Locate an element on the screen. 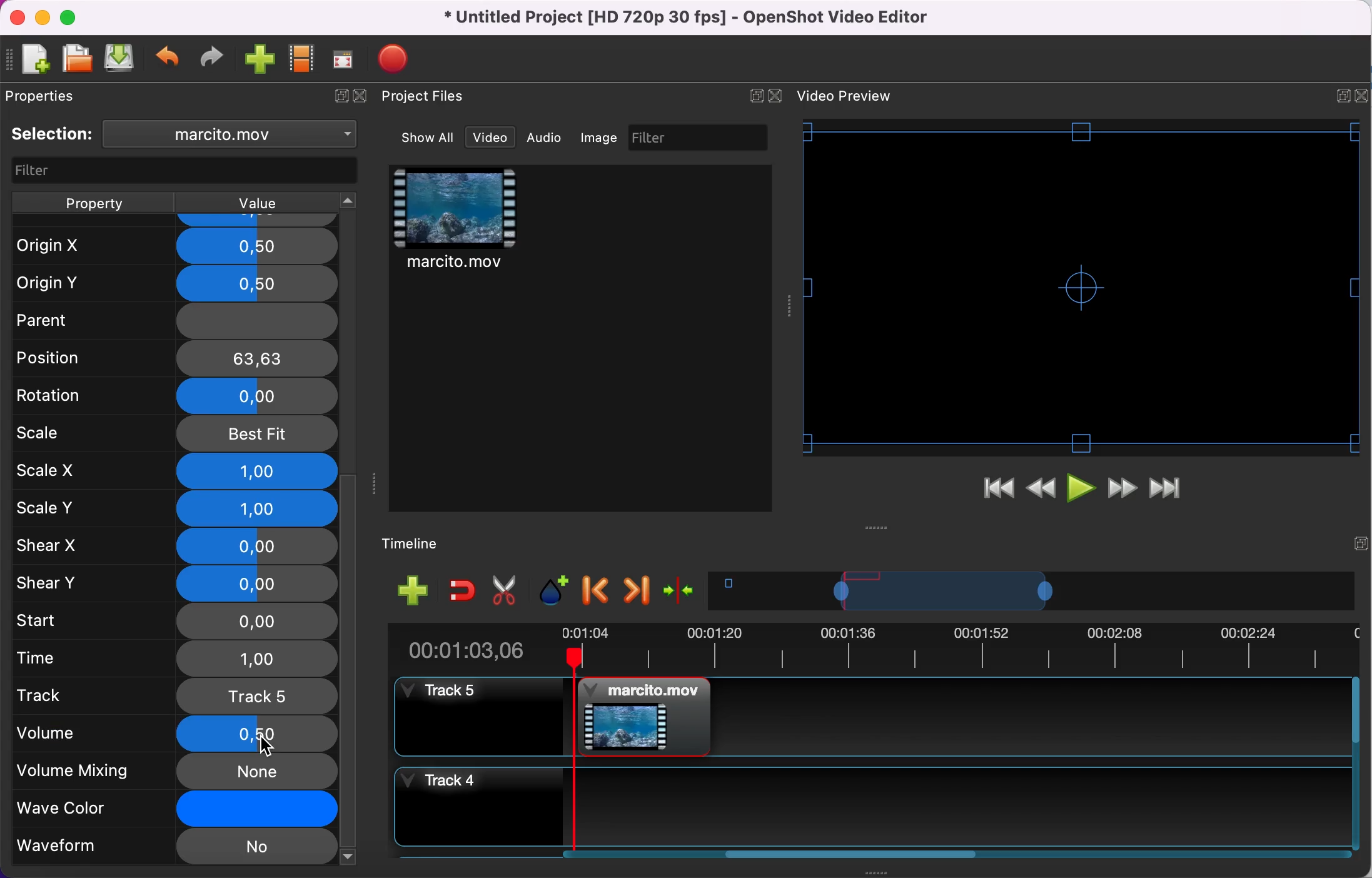  add marker is located at coordinates (556, 591).